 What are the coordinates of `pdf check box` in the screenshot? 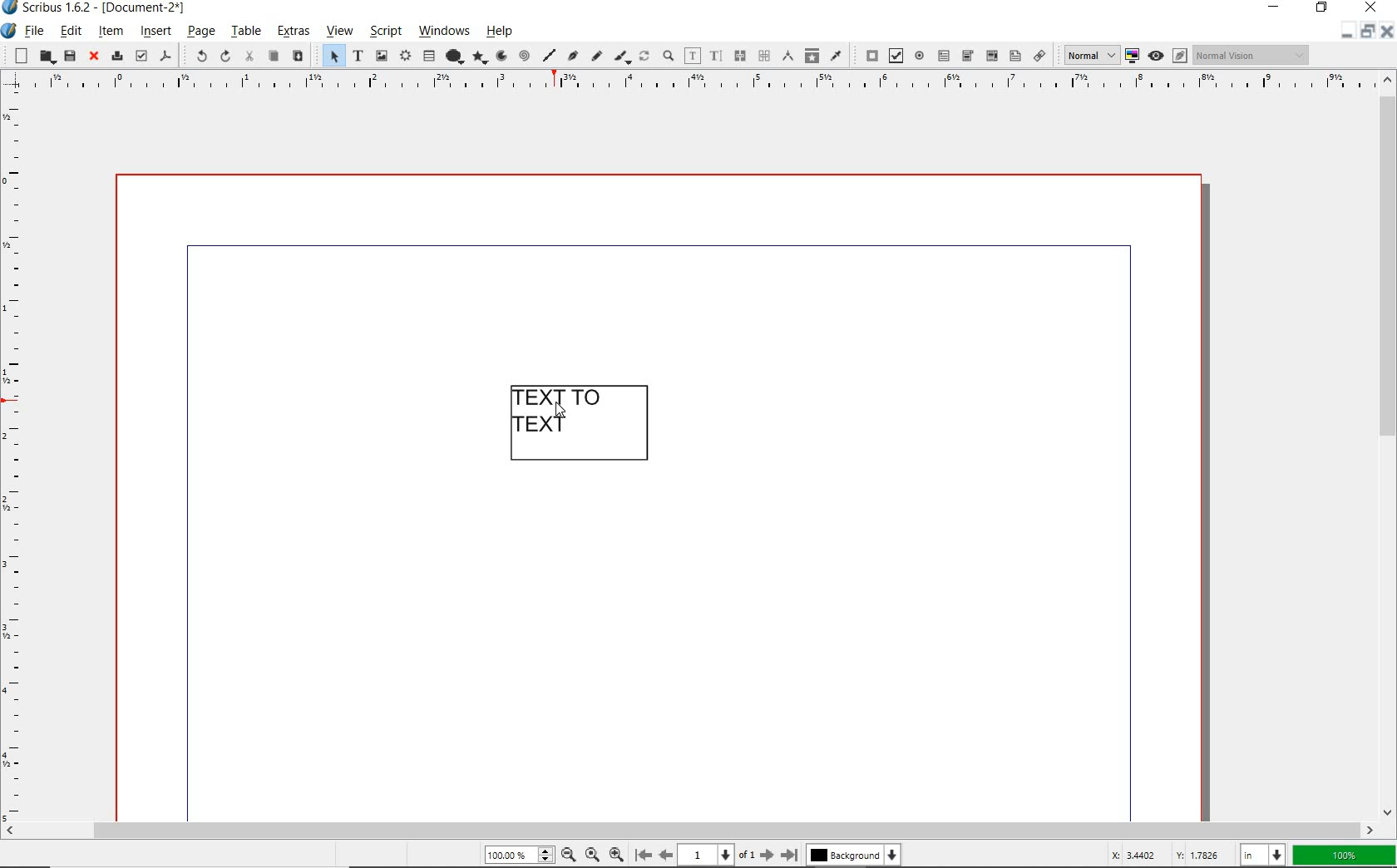 It's located at (896, 55).